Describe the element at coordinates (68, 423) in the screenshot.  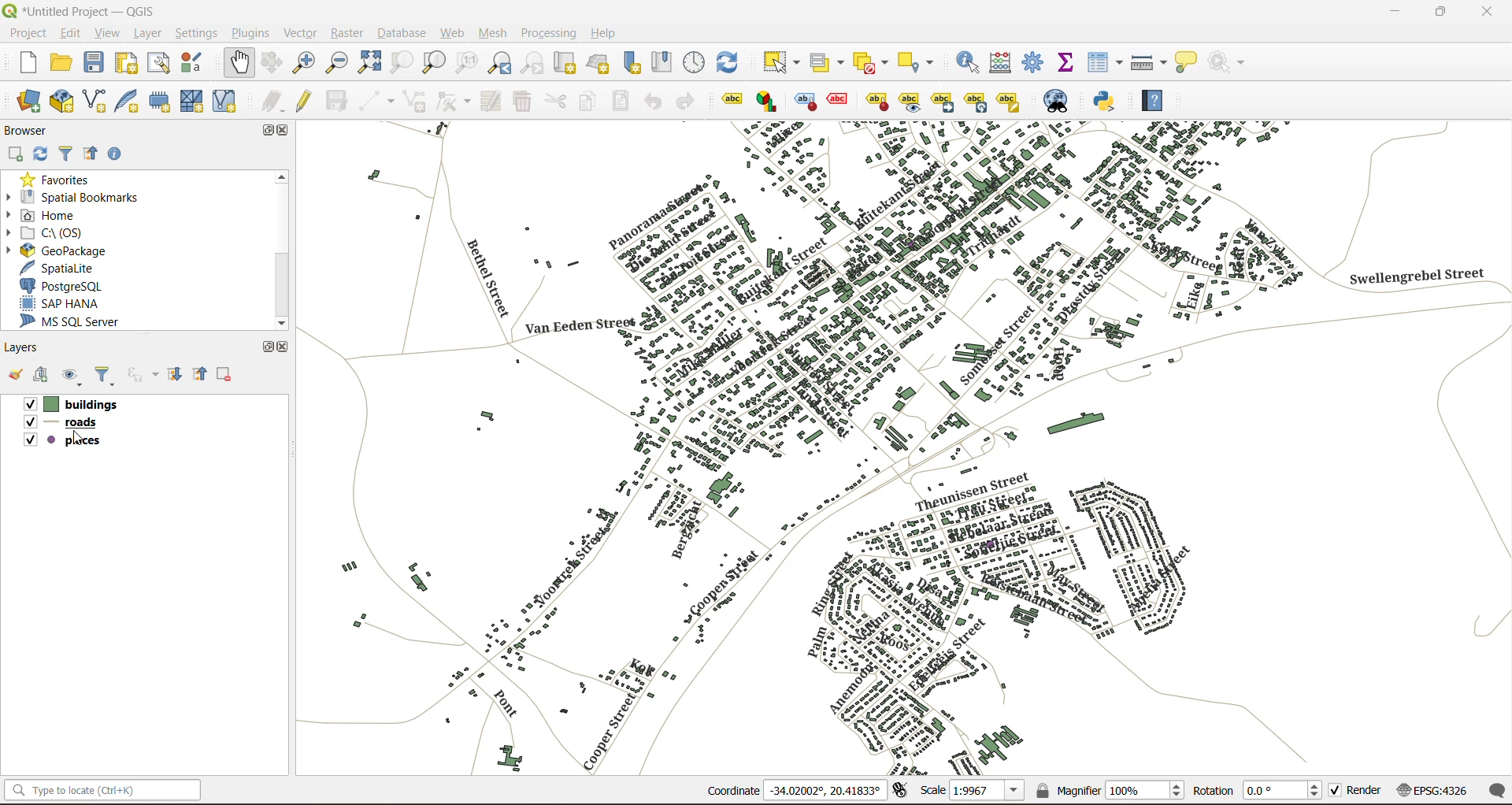
I see `roads layer` at that location.